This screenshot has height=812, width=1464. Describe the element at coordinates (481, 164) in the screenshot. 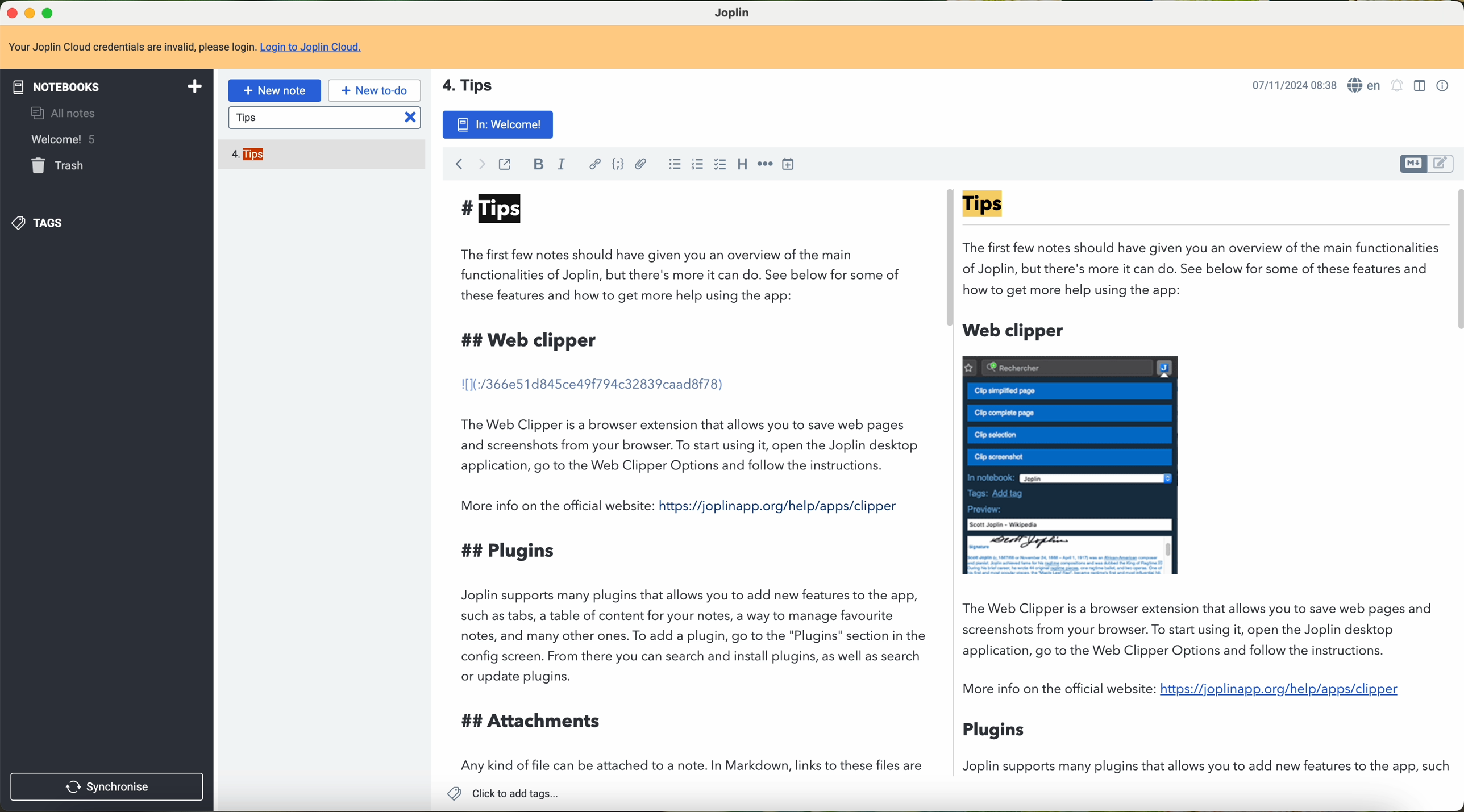

I see `disable navigate foward arrow` at that location.